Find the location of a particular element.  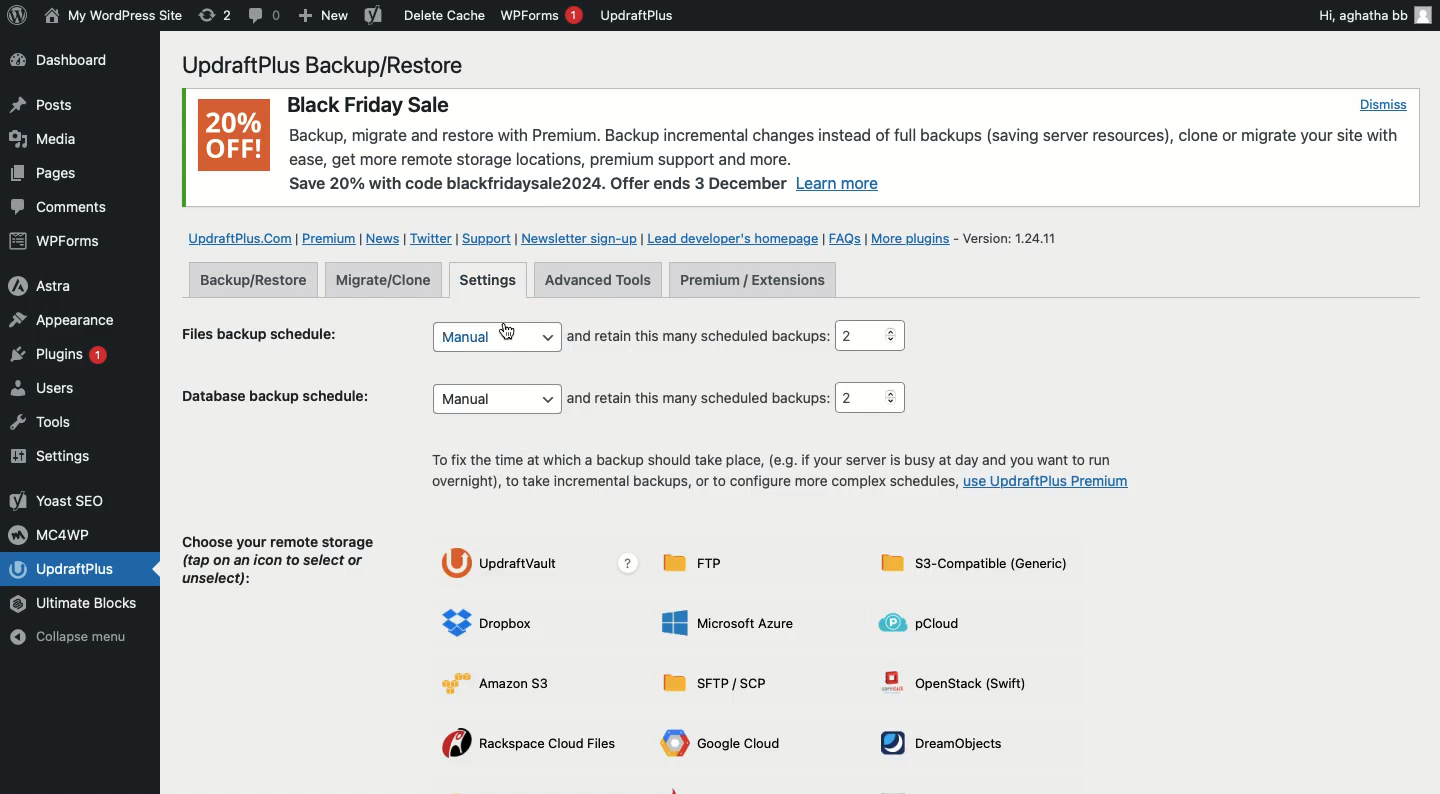

and retain this many scheduled backups is located at coordinates (698, 336).